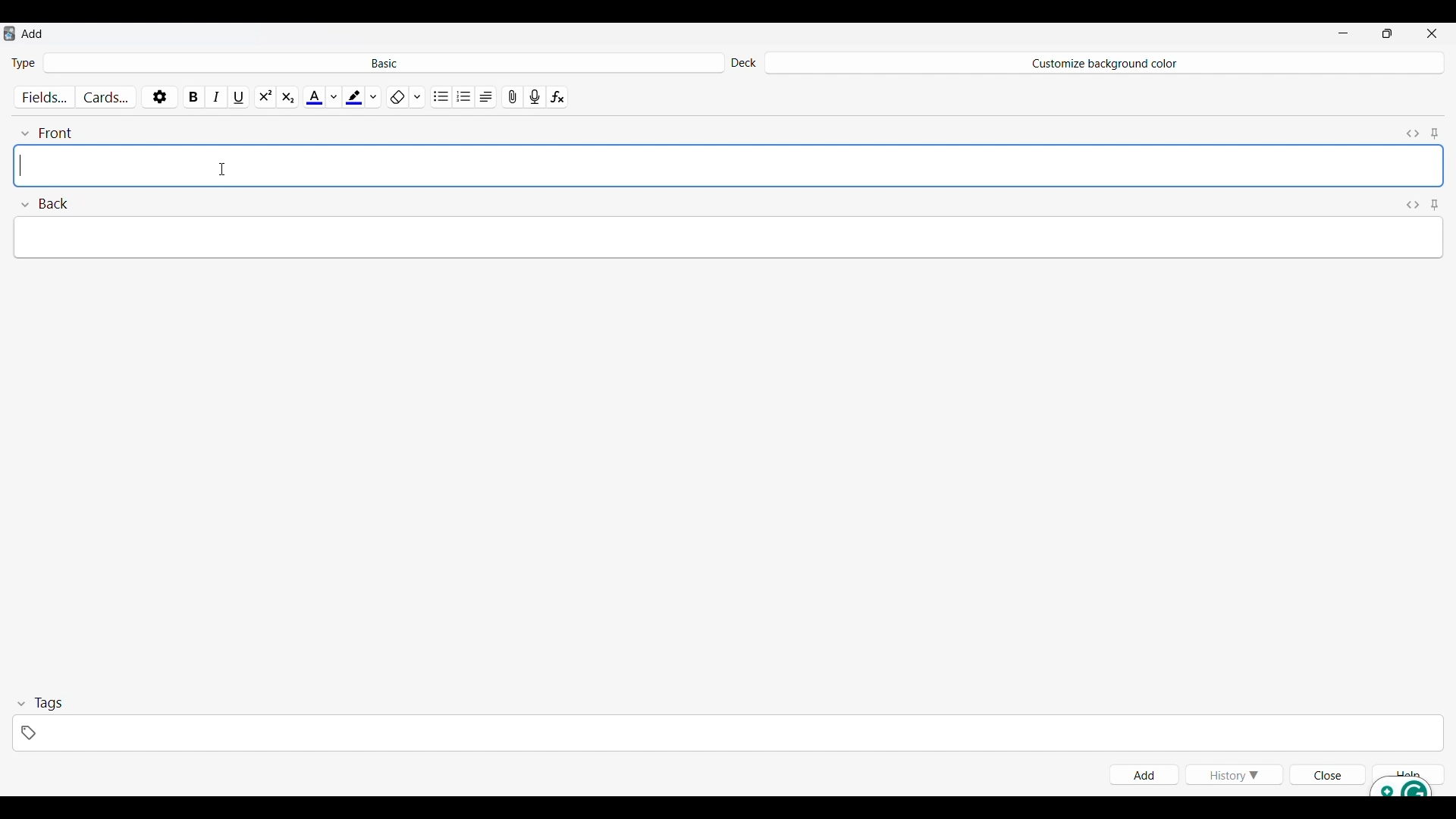  What do you see at coordinates (33, 33) in the screenshot?
I see `Window name` at bounding box center [33, 33].